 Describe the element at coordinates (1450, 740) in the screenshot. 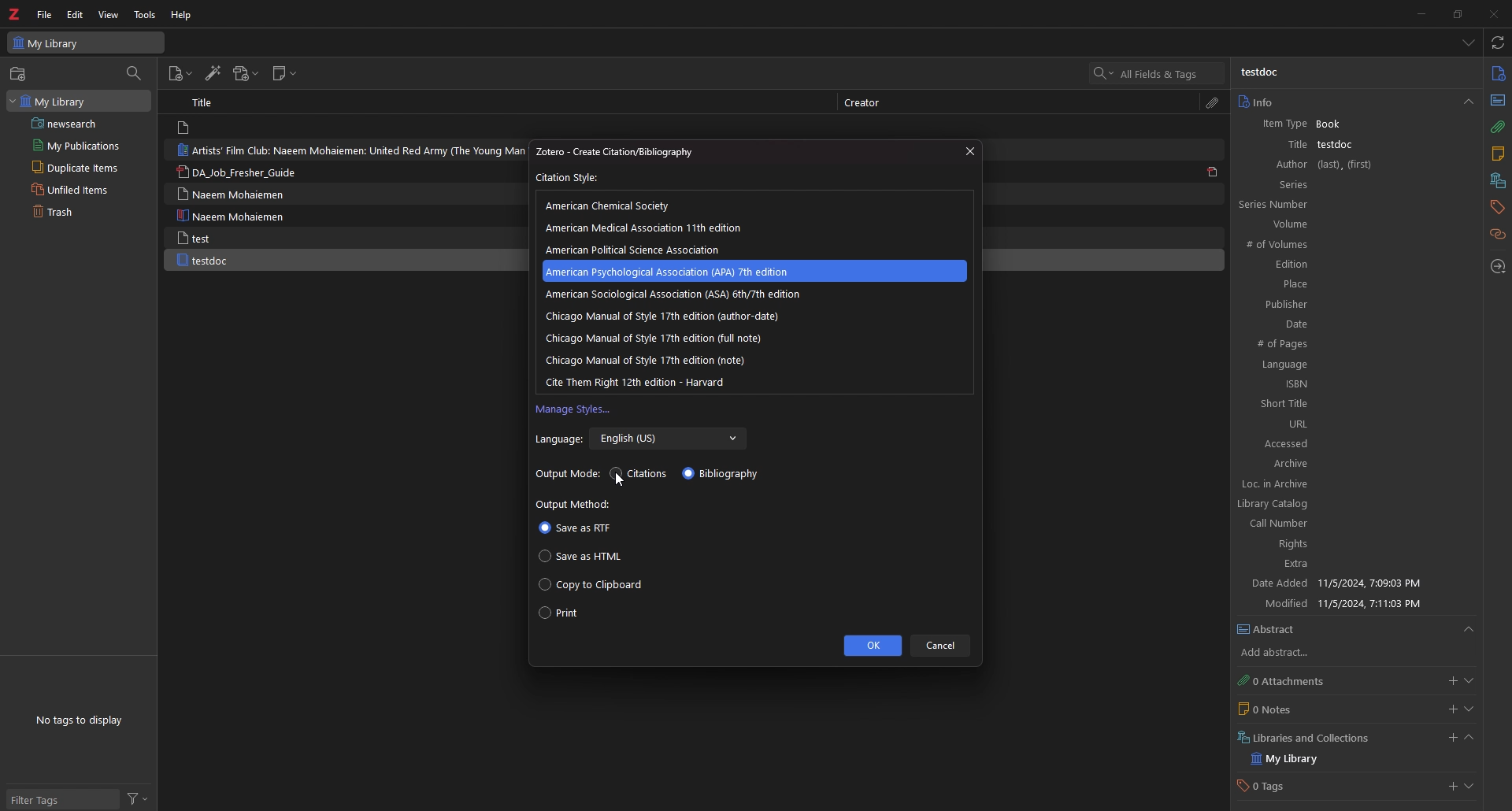

I see `add libraries or collection` at that location.